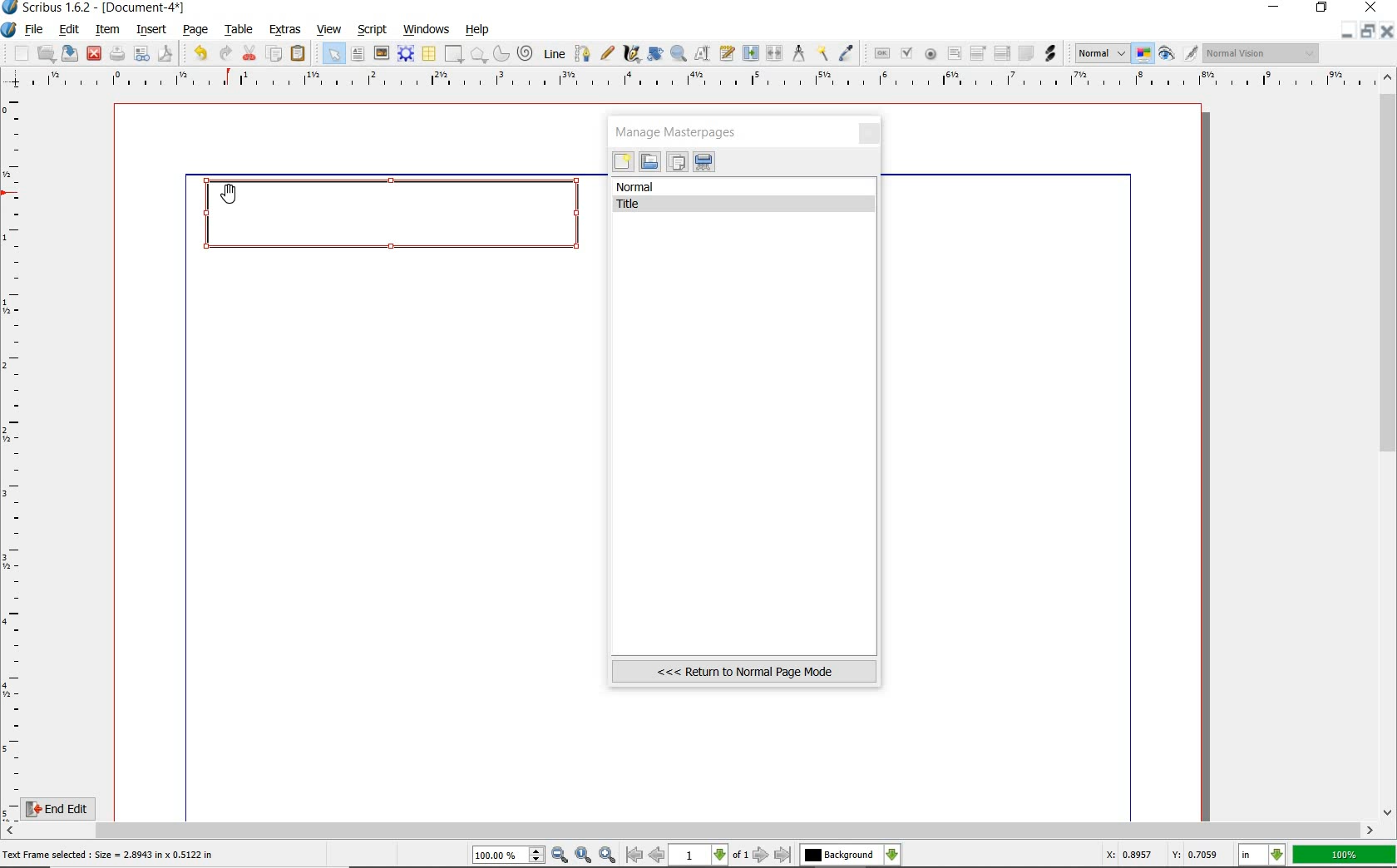 The height and width of the screenshot is (868, 1397). What do you see at coordinates (225, 52) in the screenshot?
I see `redo` at bounding box center [225, 52].